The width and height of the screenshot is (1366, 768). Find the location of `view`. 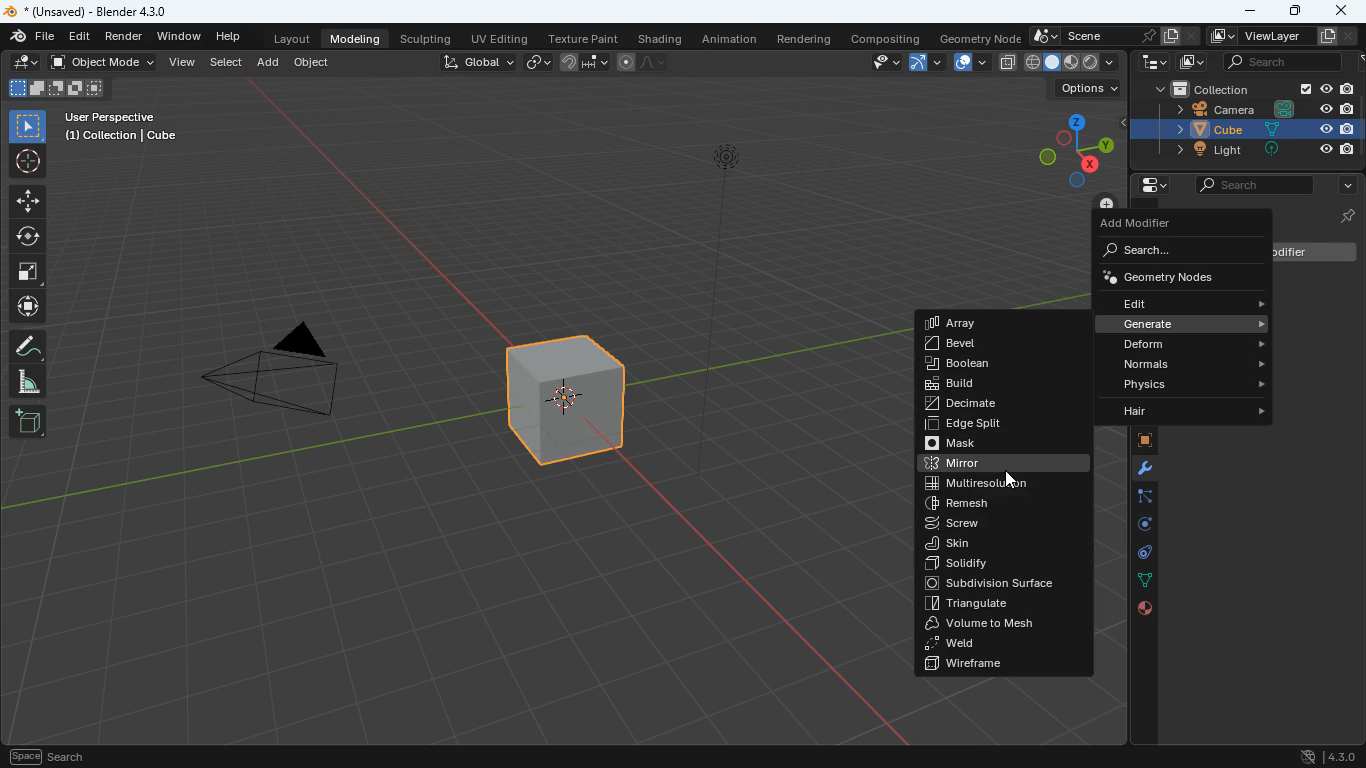

view is located at coordinates (183, 63).